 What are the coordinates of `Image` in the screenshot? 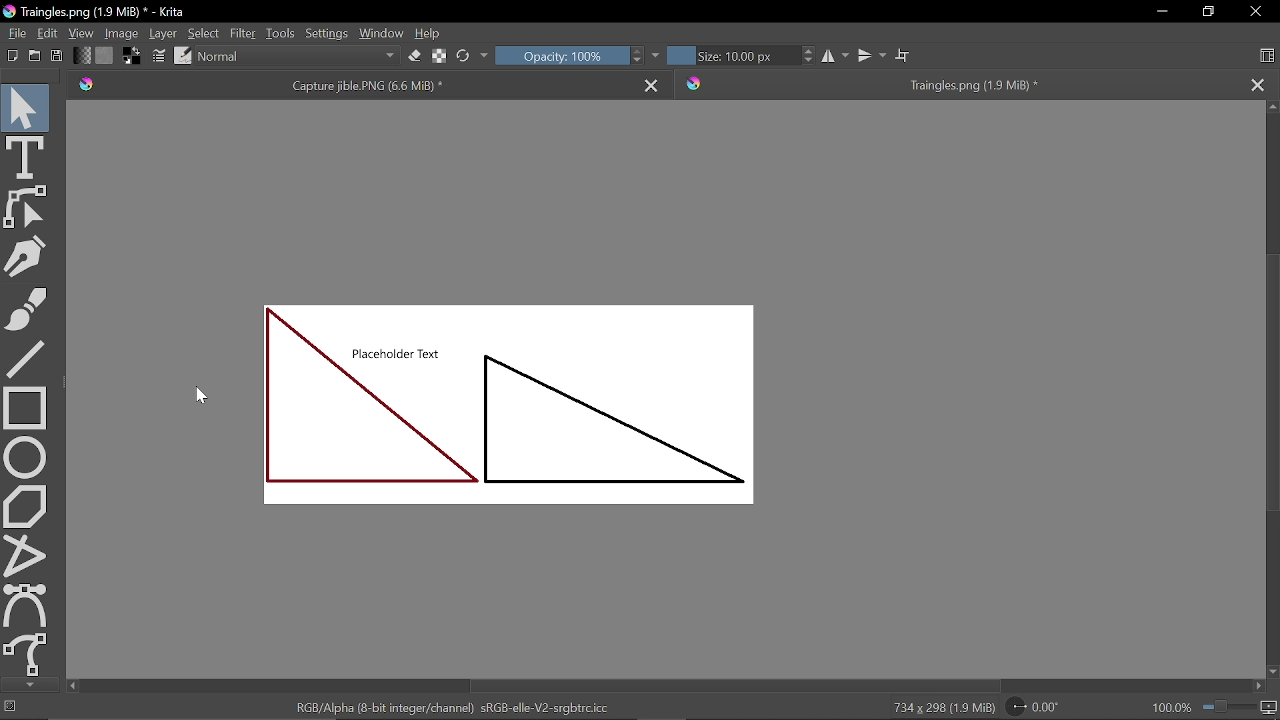 It's located at (120, 34).